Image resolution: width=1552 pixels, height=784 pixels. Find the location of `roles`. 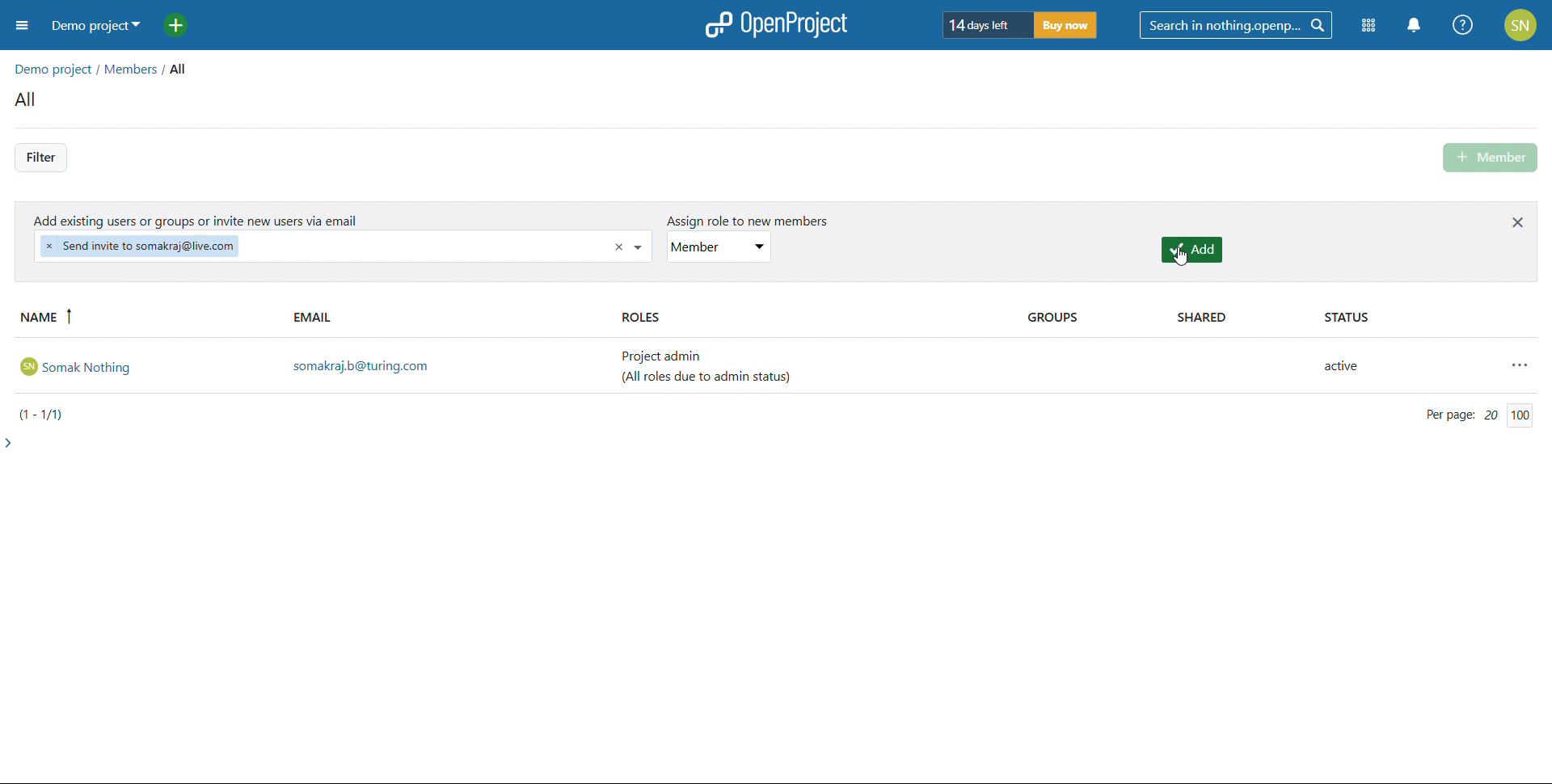

roles is located at coordinates (805, 318).